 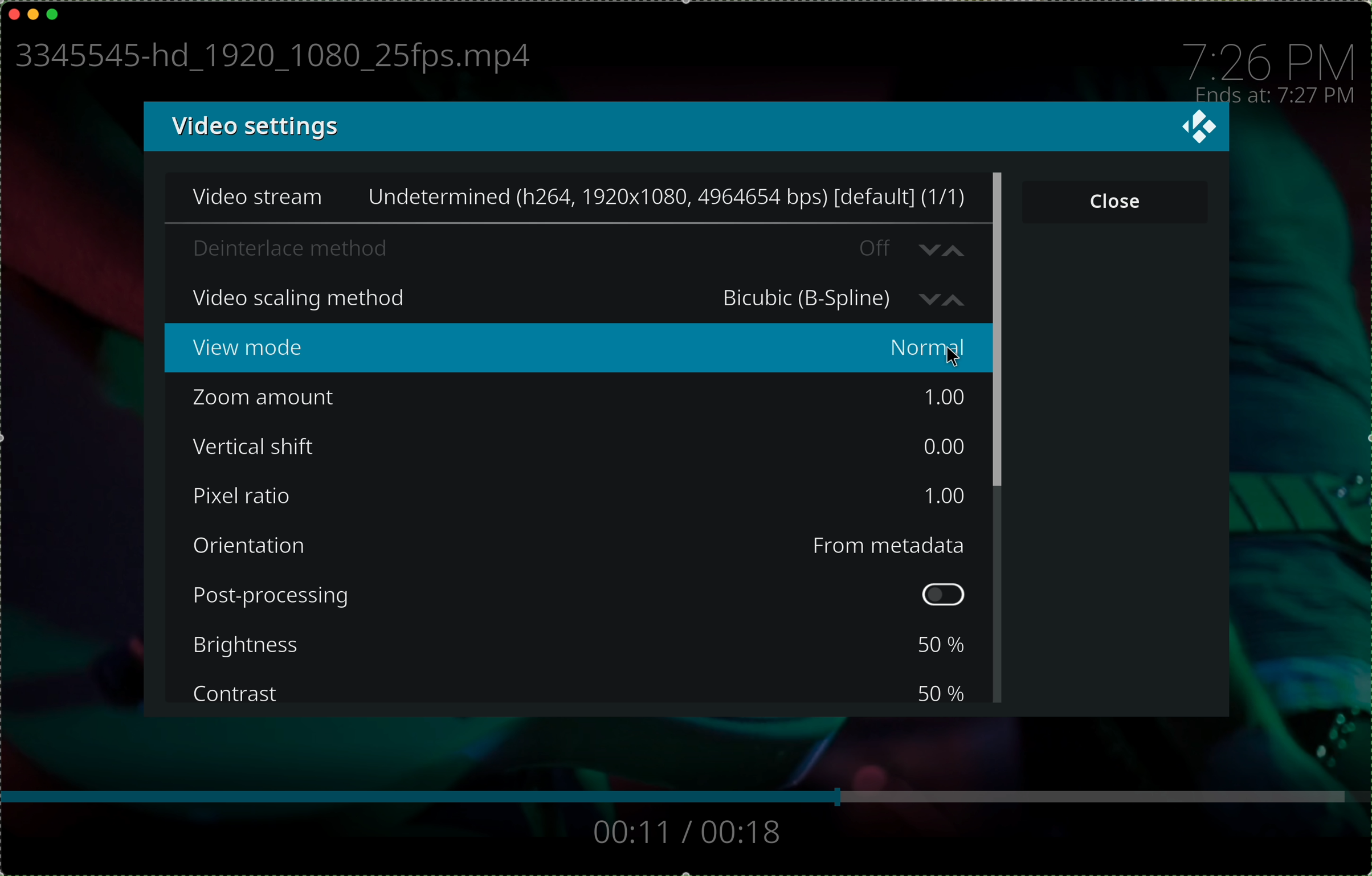 I want to click on time, so click(x=1271, y=58).